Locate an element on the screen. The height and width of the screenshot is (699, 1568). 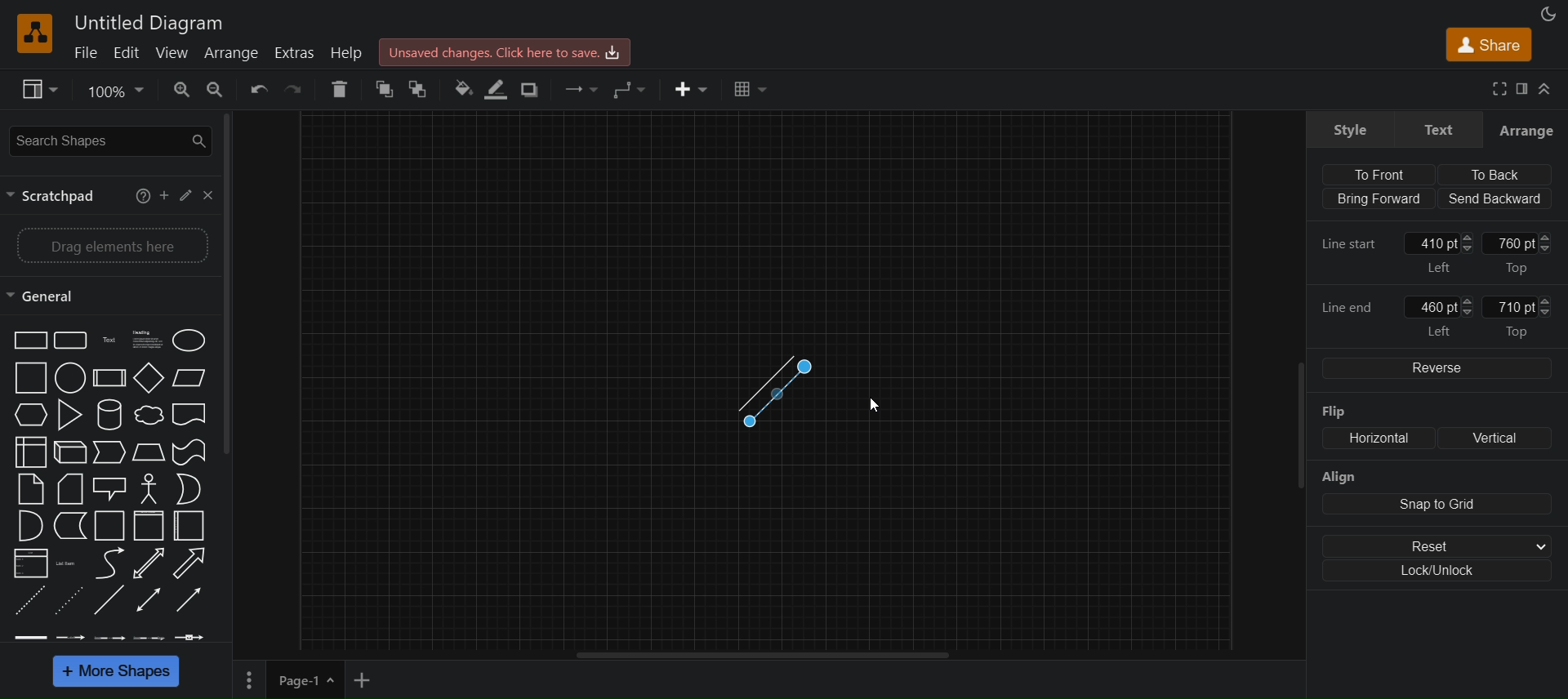
zoom is located at coordinates (115, 92).